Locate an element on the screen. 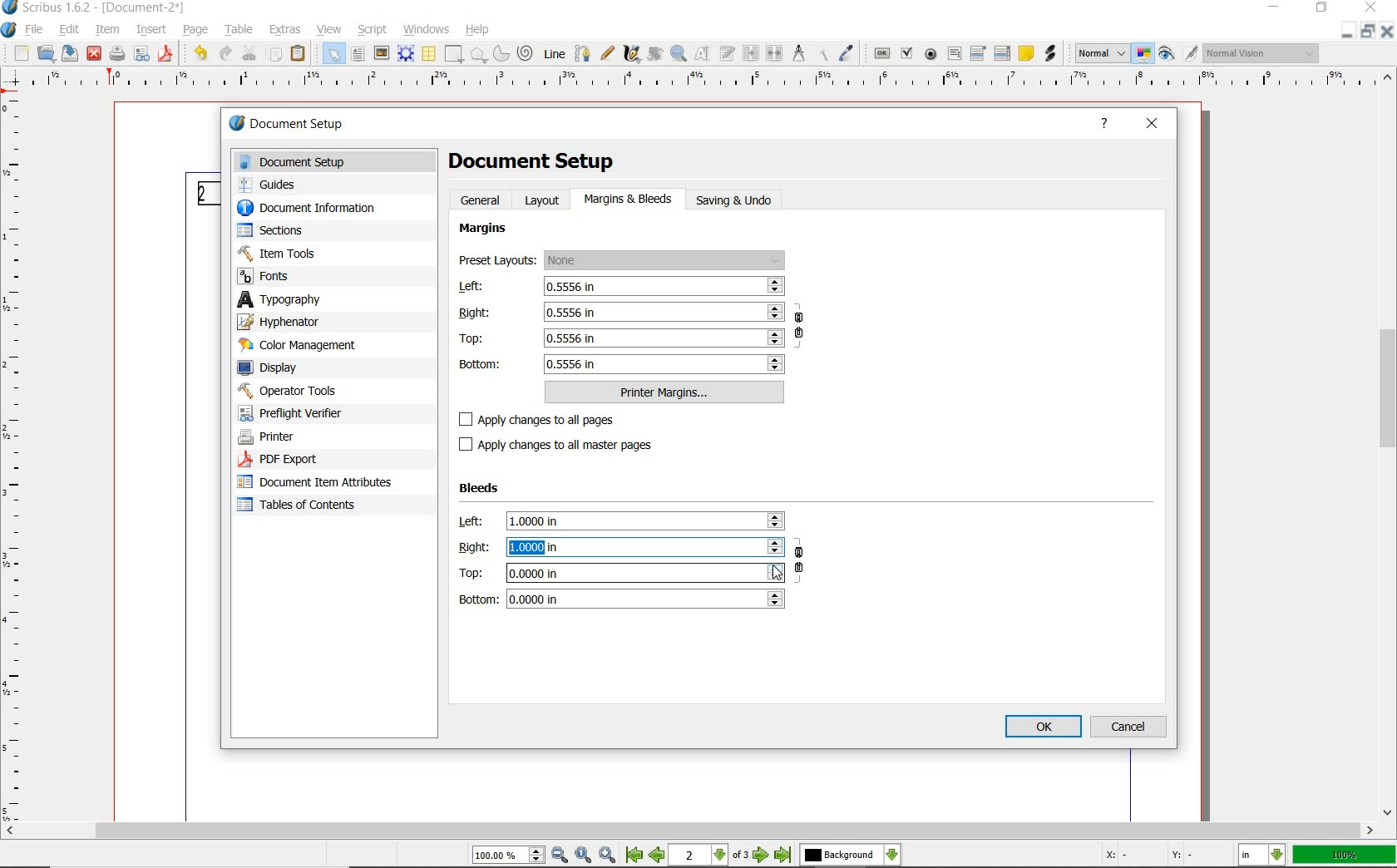 Image resolution: width=1397 pixels, height=868 pixels. apply changes to all pages is located at coordinates (547, 421).